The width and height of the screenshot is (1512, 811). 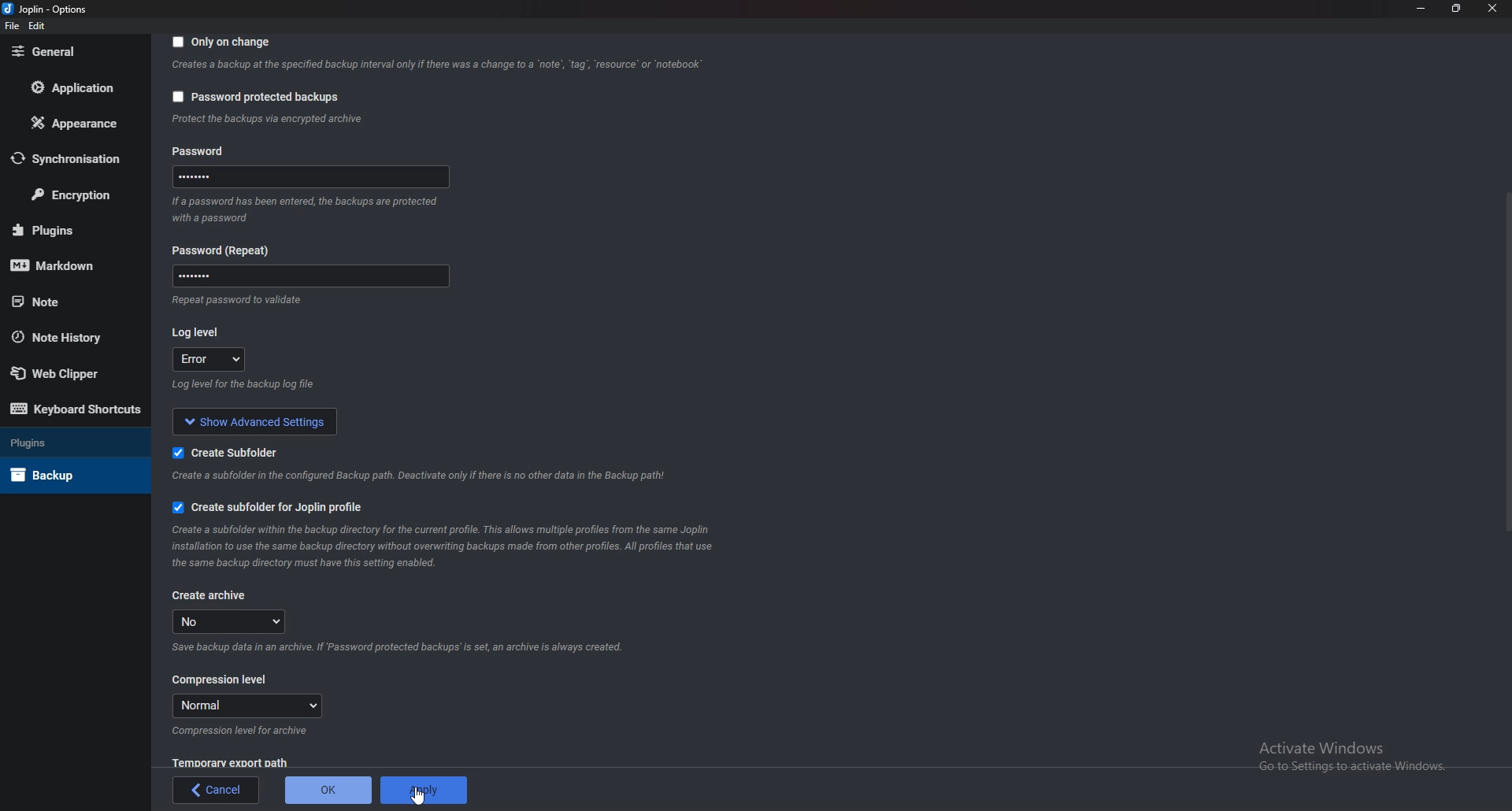 I want to click on info on log level, so click(x=245, y=385).